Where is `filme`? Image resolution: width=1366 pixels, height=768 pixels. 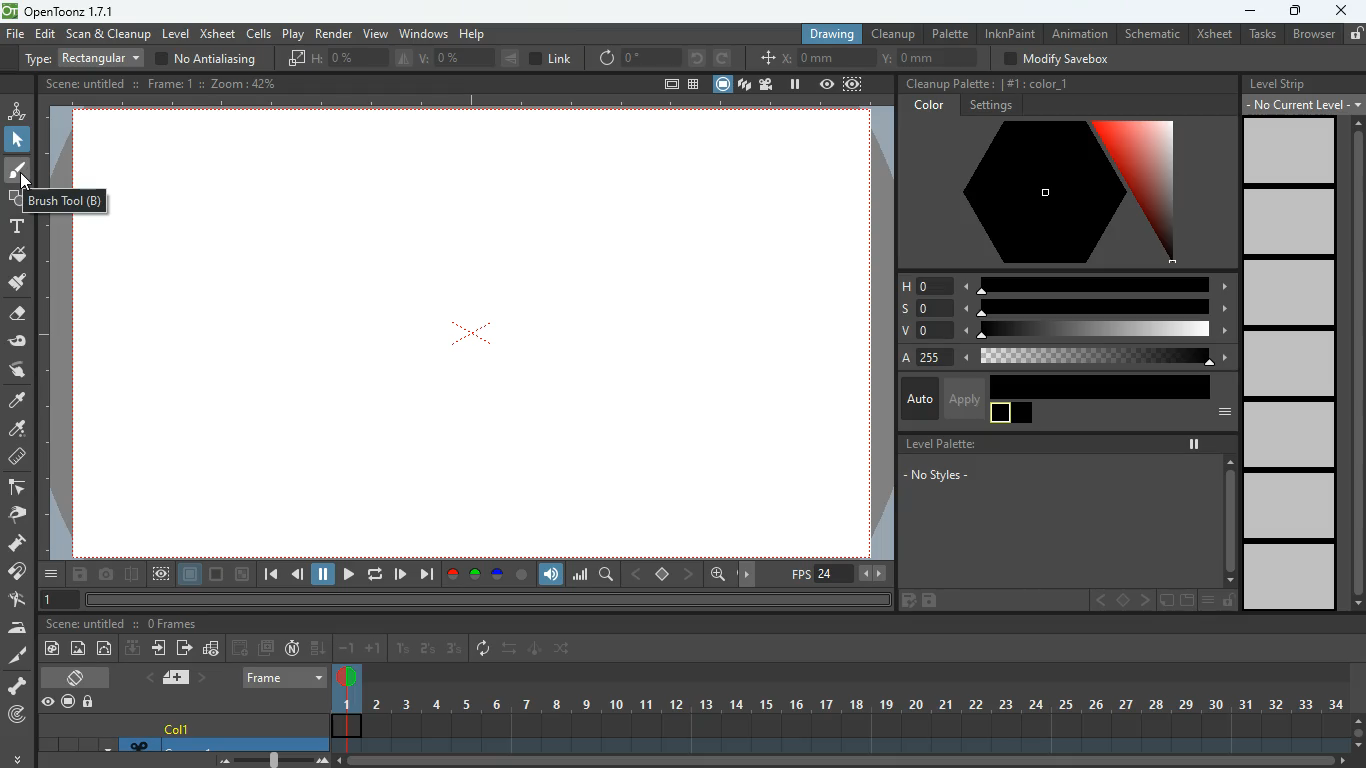
filme is located at coordinates (769, 84).